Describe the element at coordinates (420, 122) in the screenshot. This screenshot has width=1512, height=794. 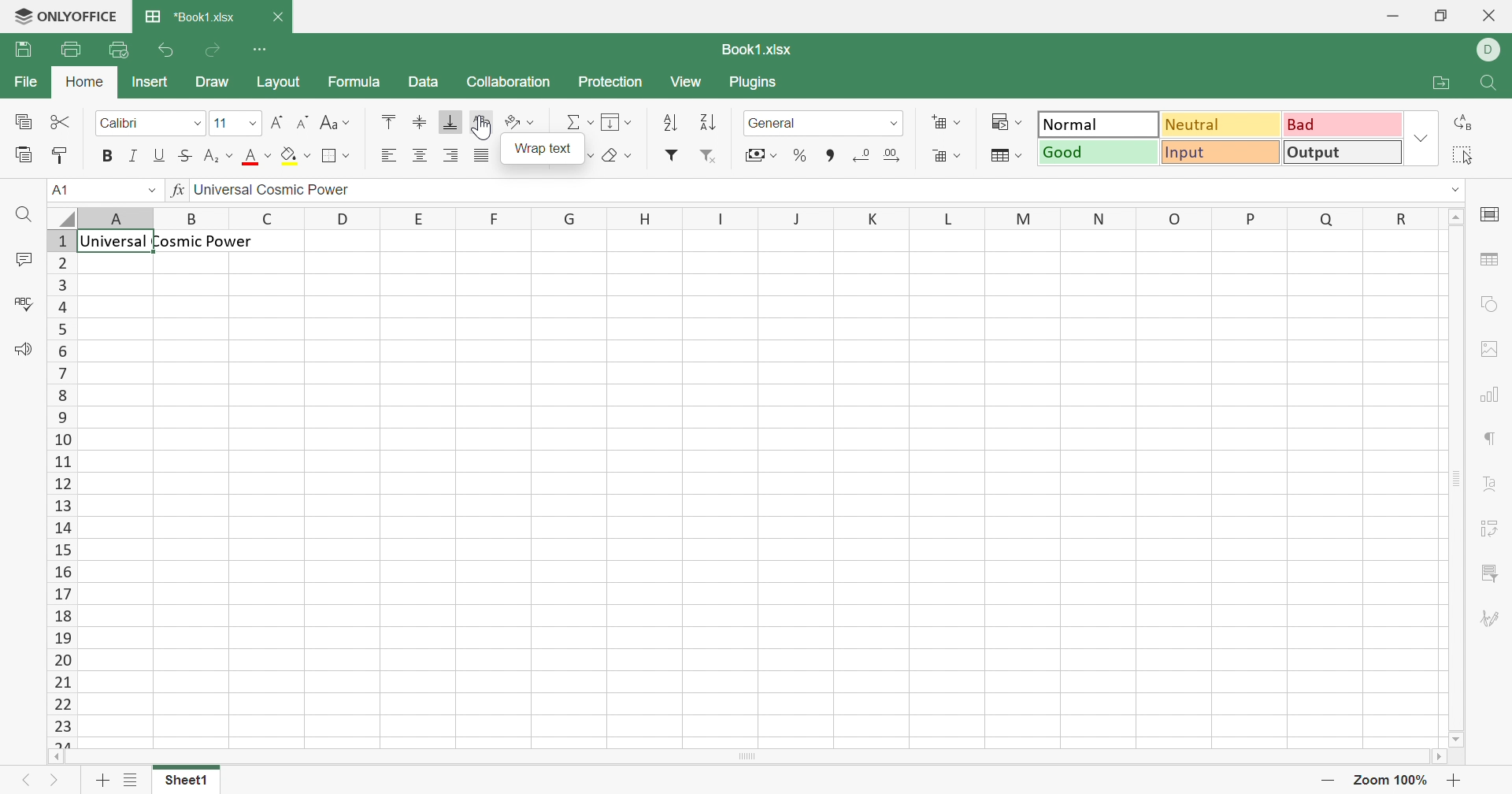
I see `Align Middle` at that location.